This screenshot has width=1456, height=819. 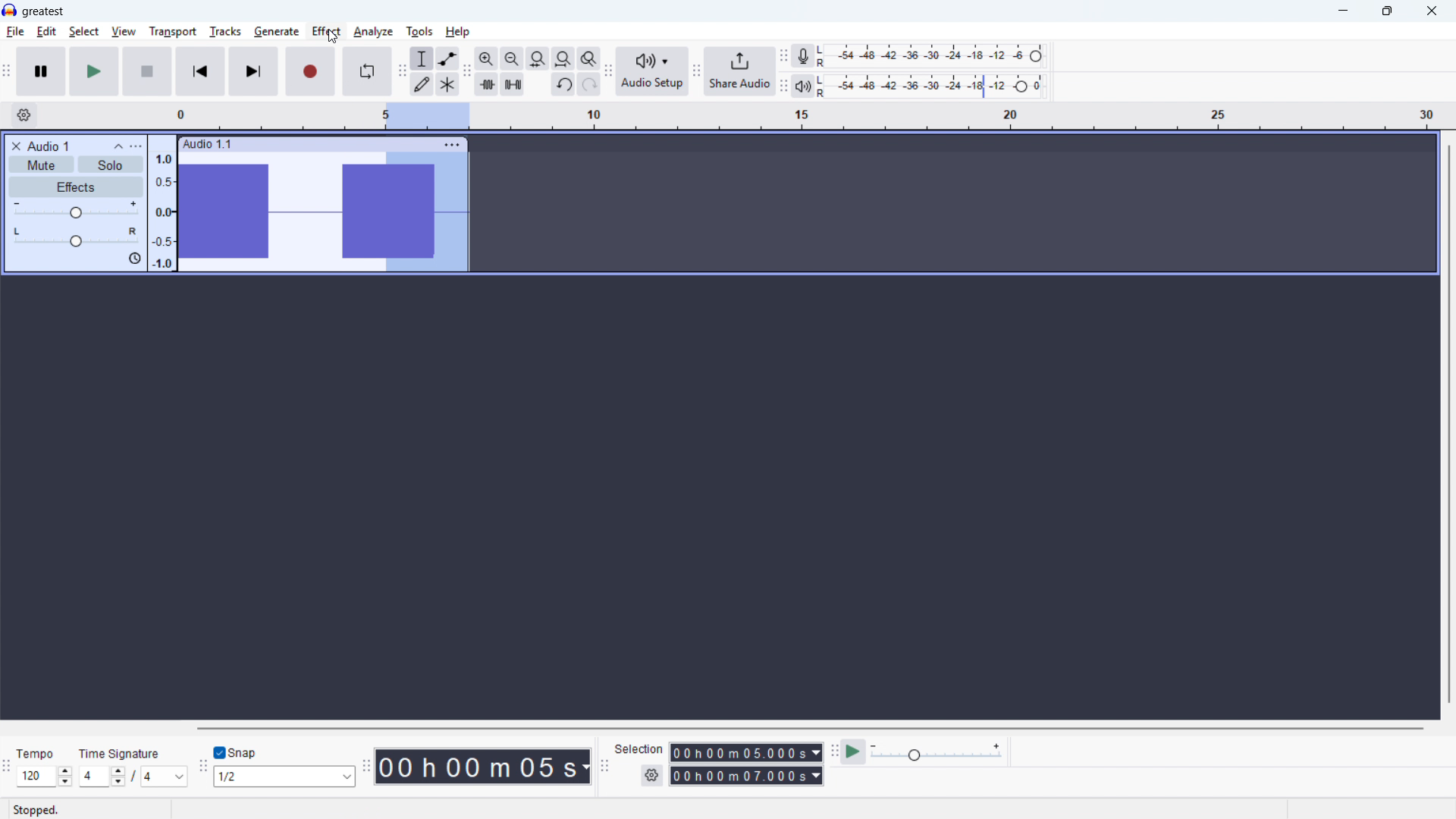 What do you see at coordinates (94, 71) in the screenshot?
I see `play ` at bounding box center [94, 71].